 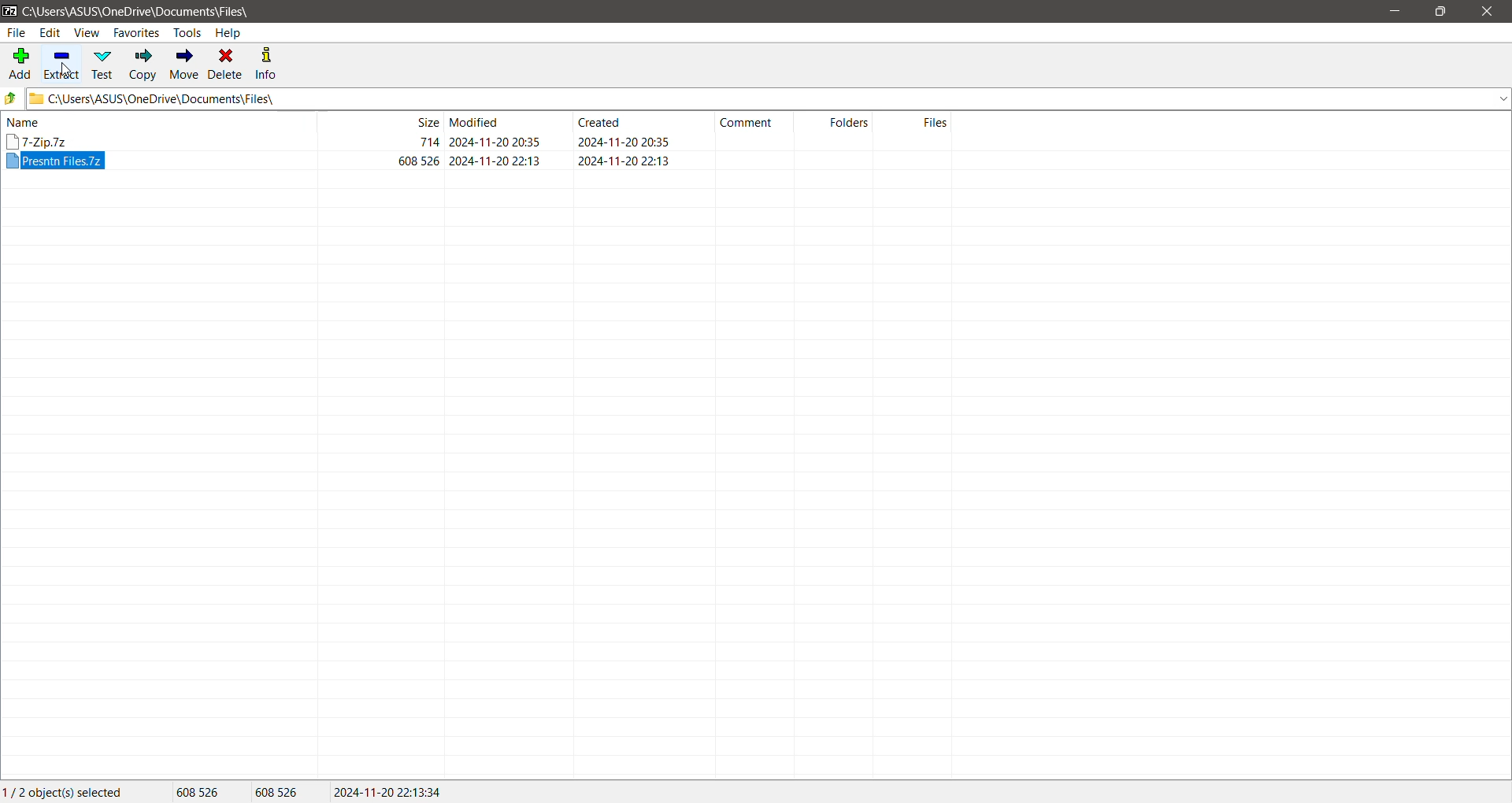 I want to click on file, so click(x=55, y=161).